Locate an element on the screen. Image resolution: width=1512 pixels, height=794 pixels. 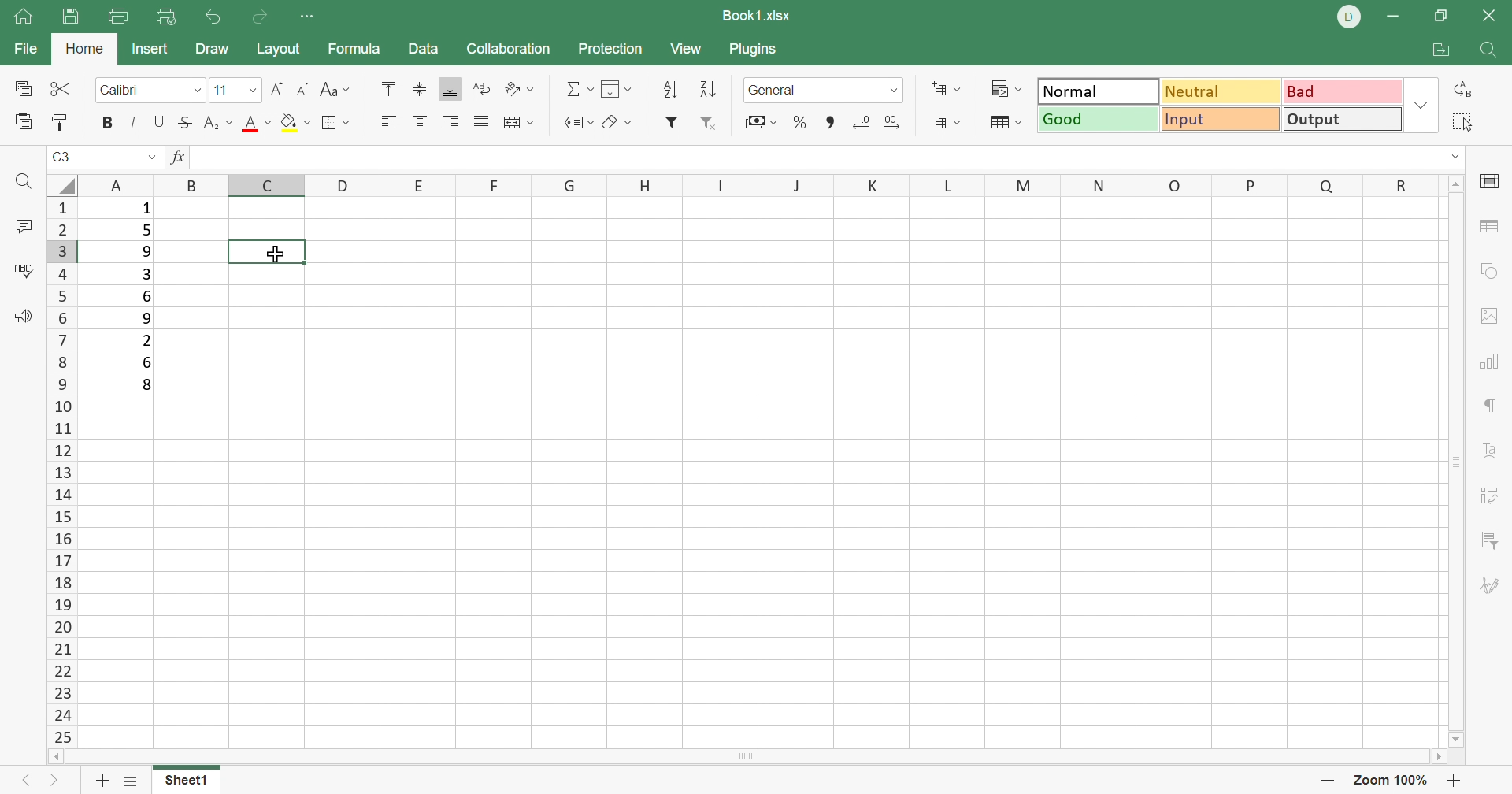
Protection is located at coordinates (609, 47).